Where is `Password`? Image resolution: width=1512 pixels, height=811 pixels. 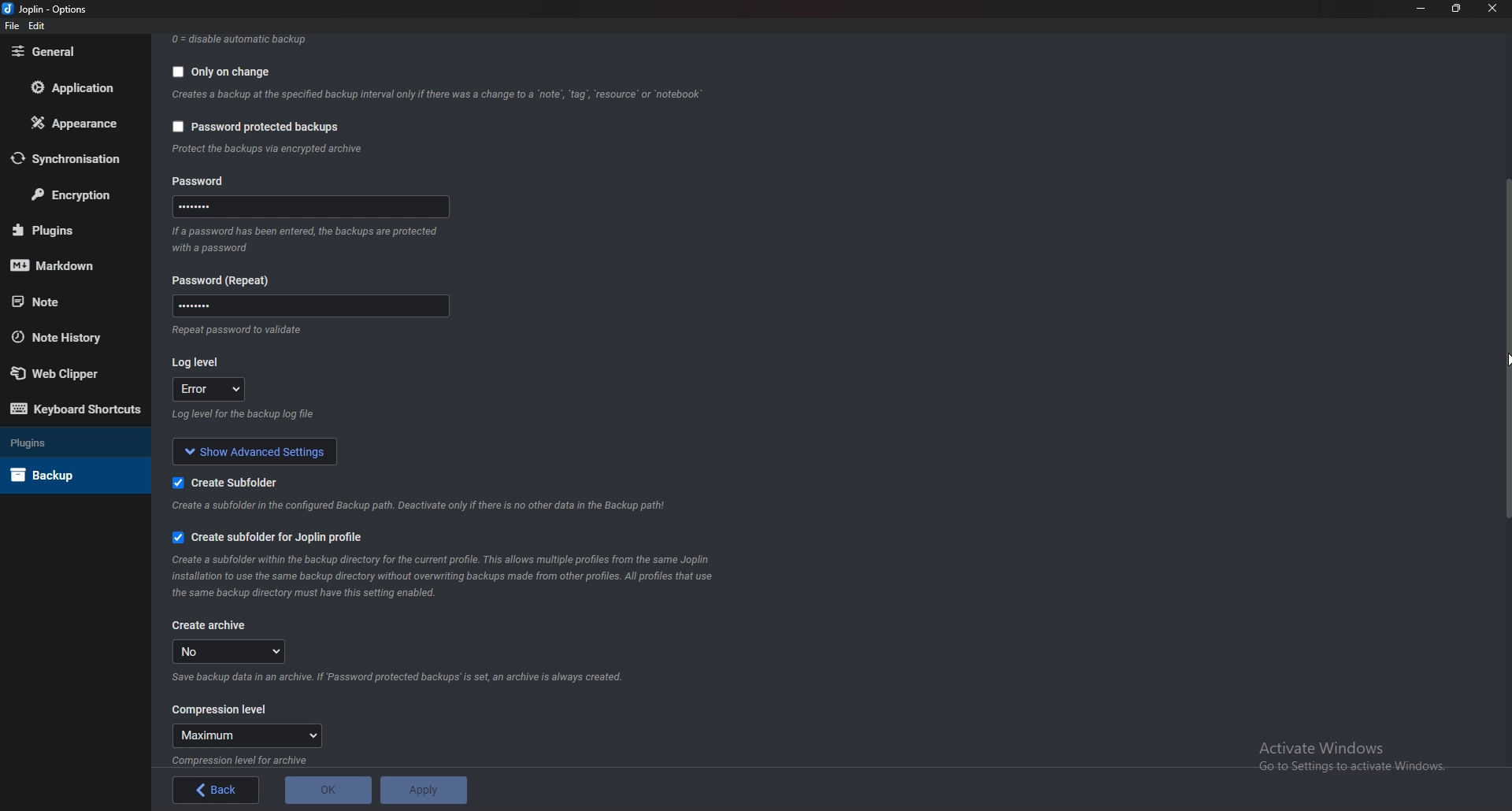
Password is located at coordinates (206, 183).